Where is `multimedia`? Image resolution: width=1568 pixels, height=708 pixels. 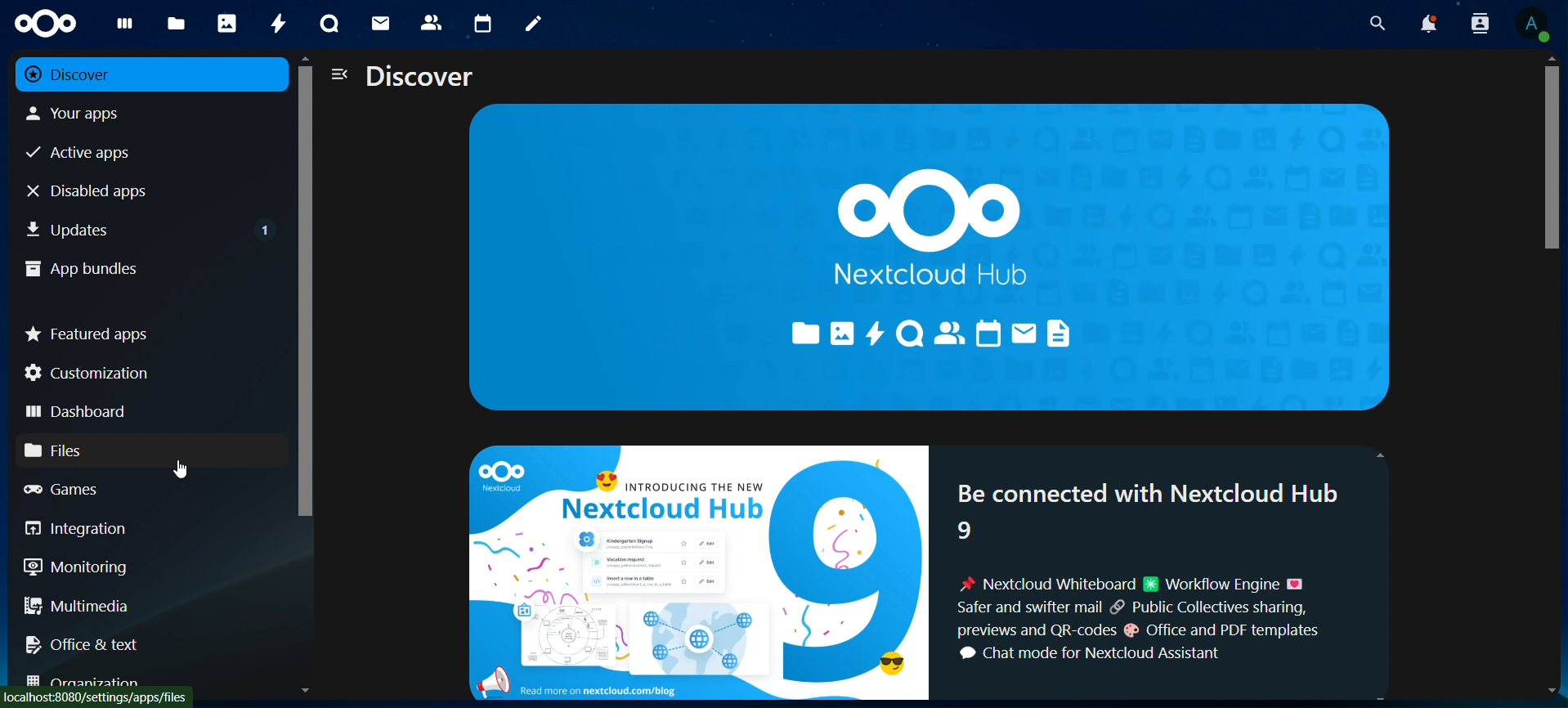 multimedia is located at coordinates (78, 608).